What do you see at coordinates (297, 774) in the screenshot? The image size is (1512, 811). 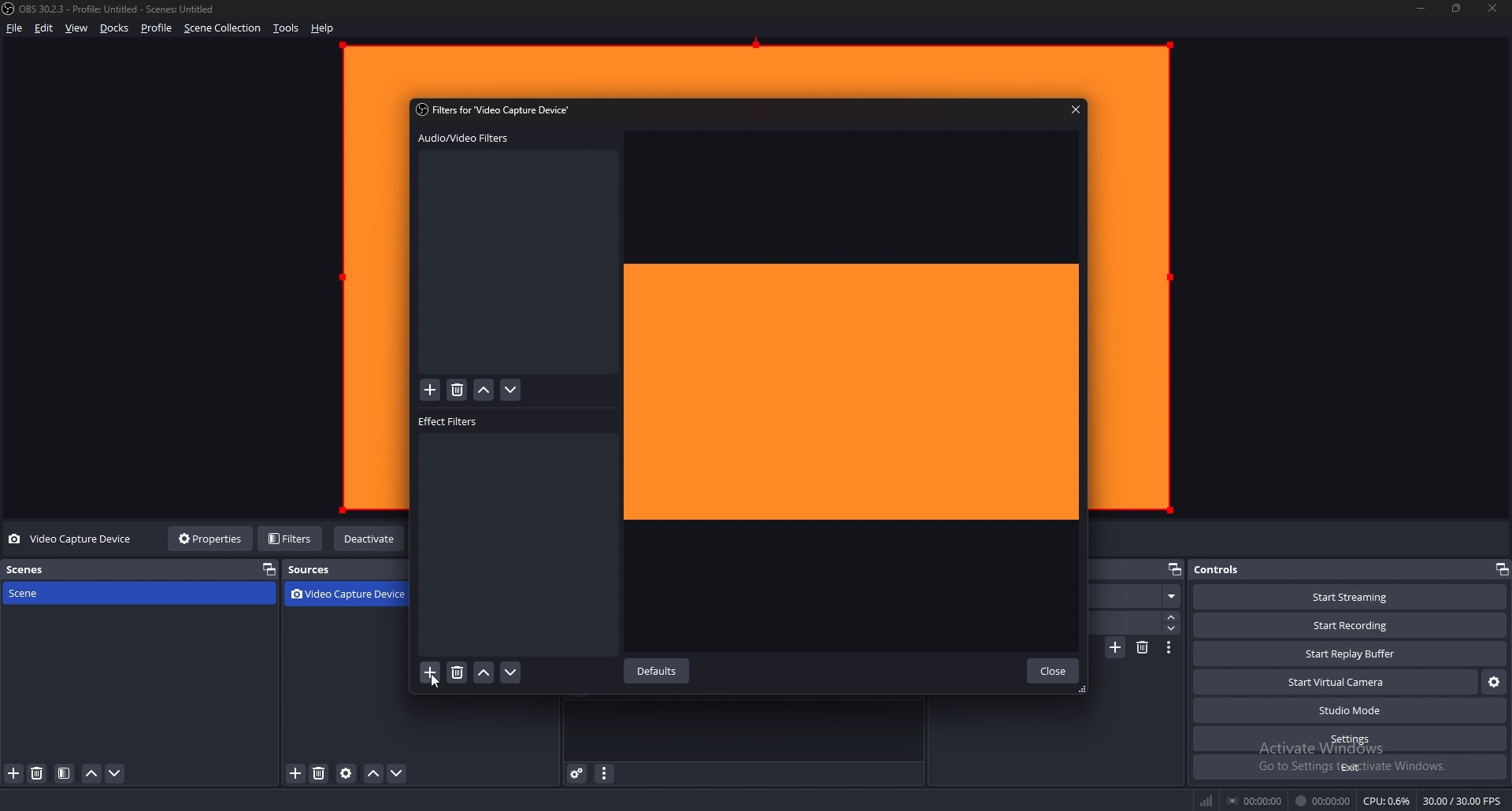 I see `add source` at bounding box center [297, 774].